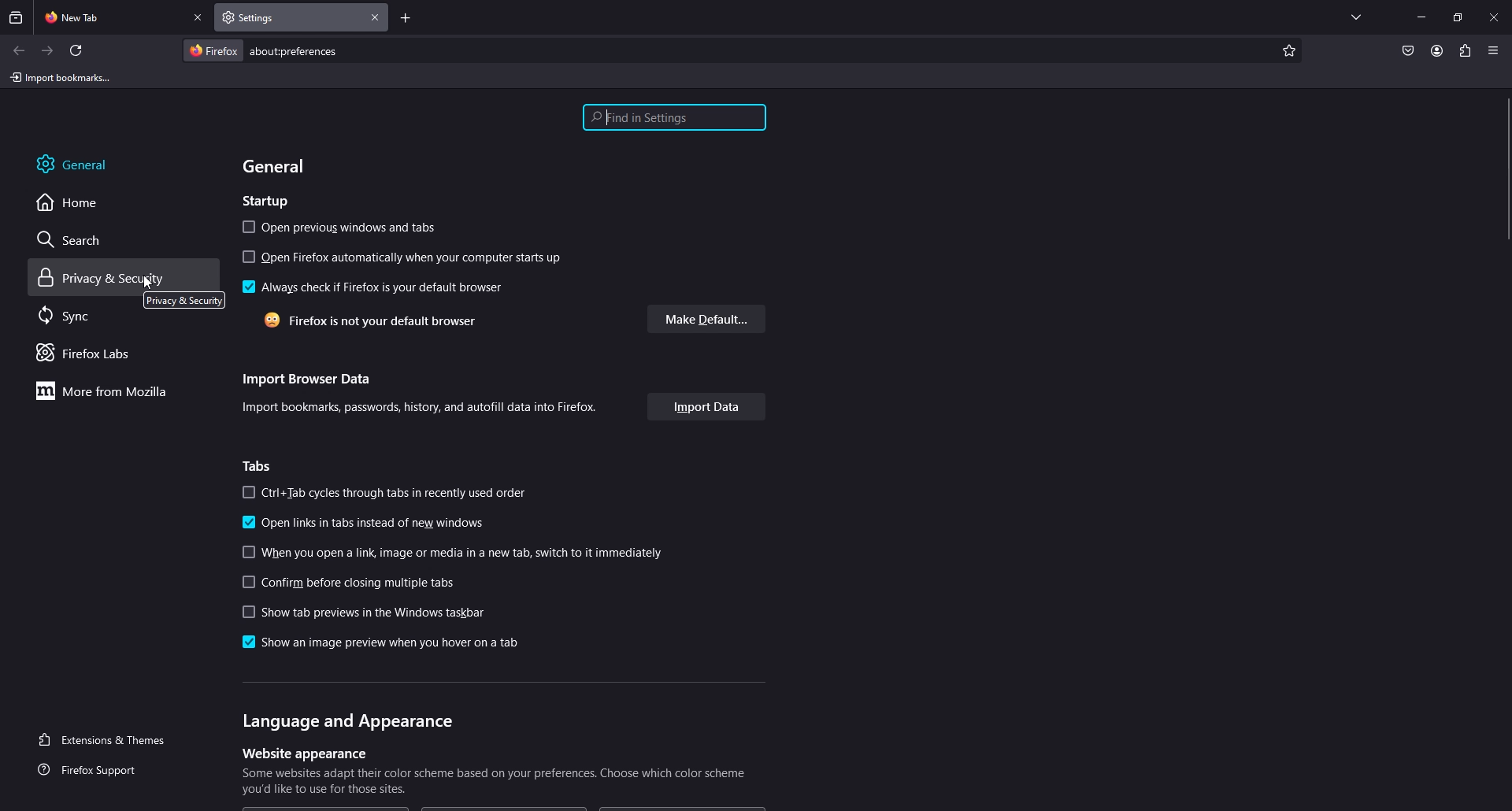  What do you see at coordinates (110, 391) in the screenshot?
I see `more from mozilla` at bounding box center [110, 391].